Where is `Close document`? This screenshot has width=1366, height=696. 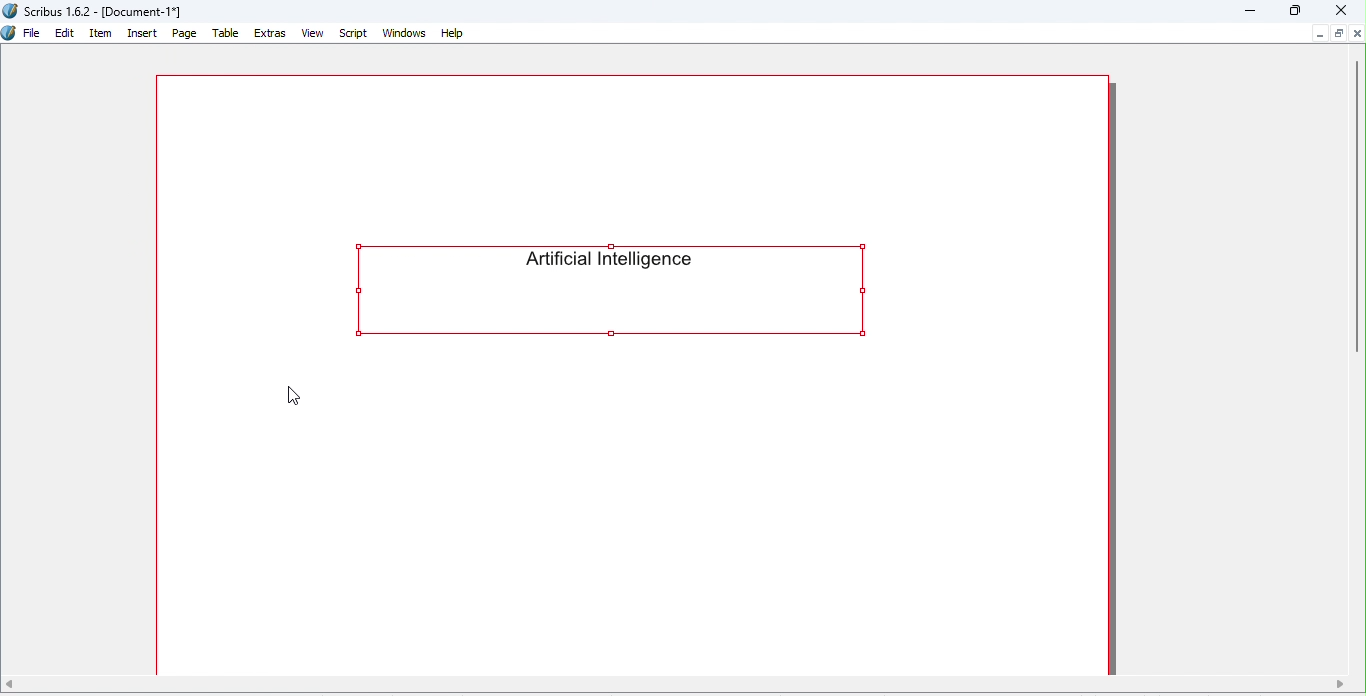
Close document is located at coordinates (1358, 33).